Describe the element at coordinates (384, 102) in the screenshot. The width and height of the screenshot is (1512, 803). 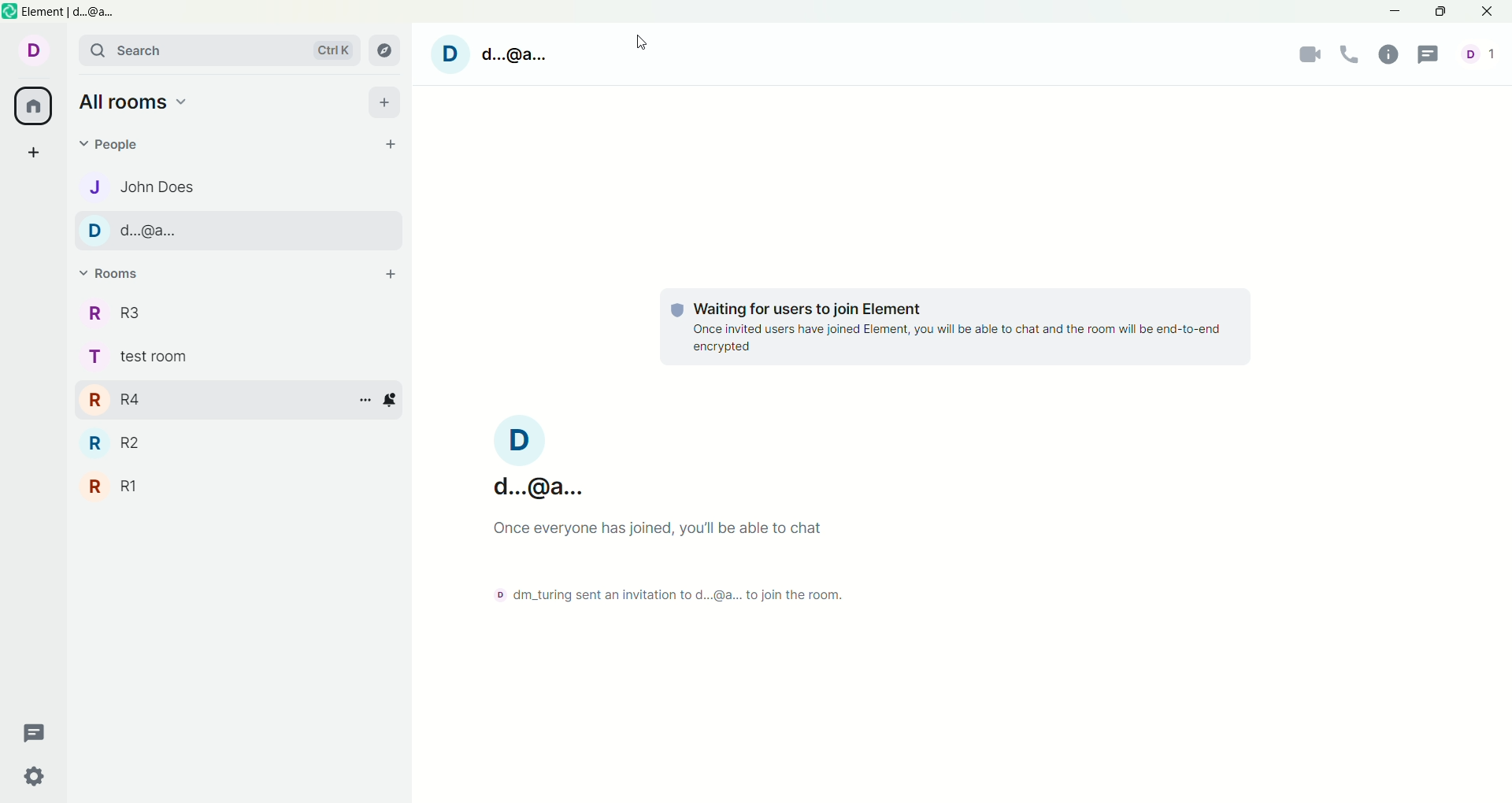
I see `add` at that location.